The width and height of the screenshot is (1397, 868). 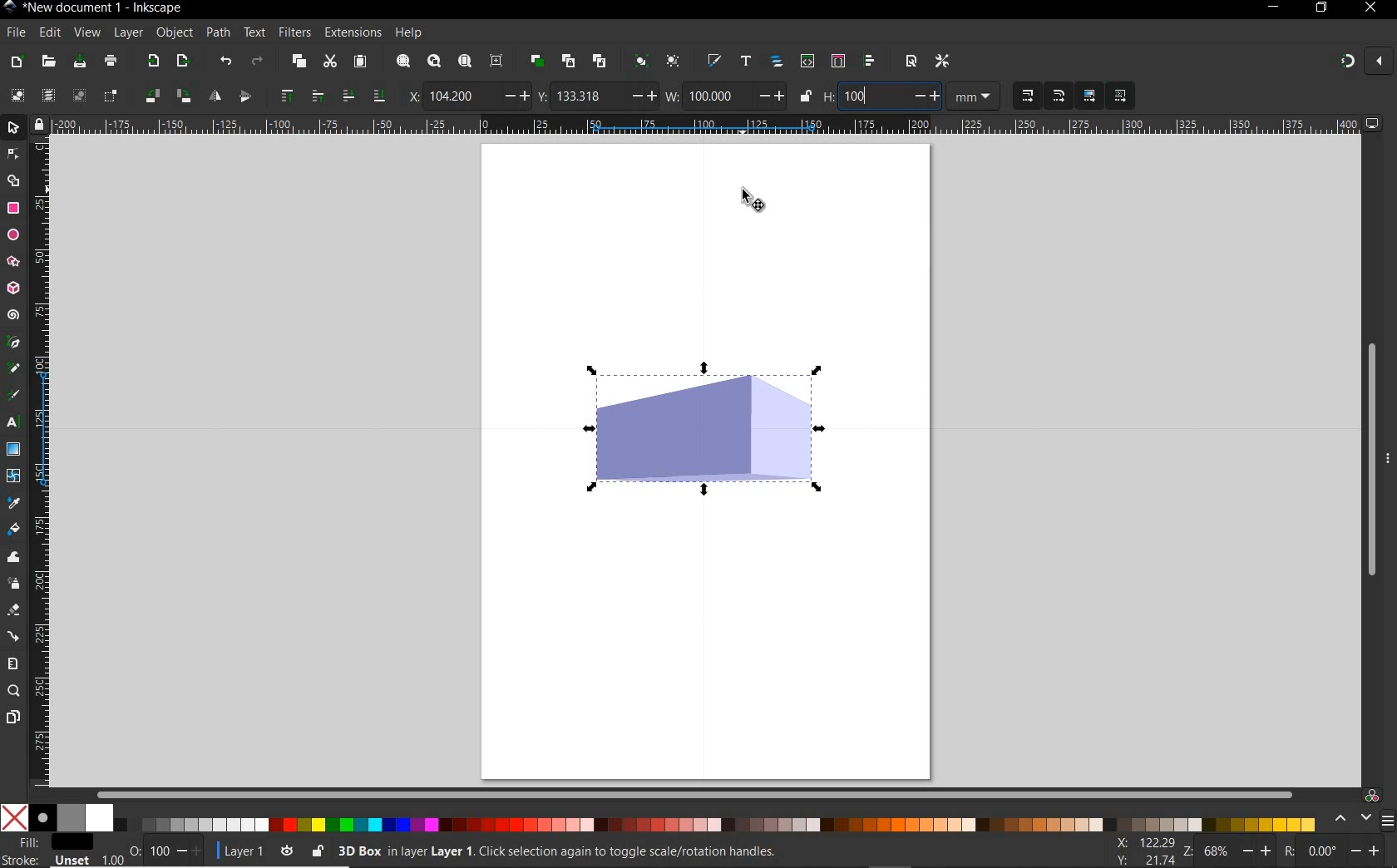 What do you see at coordinates (15, 583) in the screenshot?
I see `spray tool` at bounding box center [15, 583].